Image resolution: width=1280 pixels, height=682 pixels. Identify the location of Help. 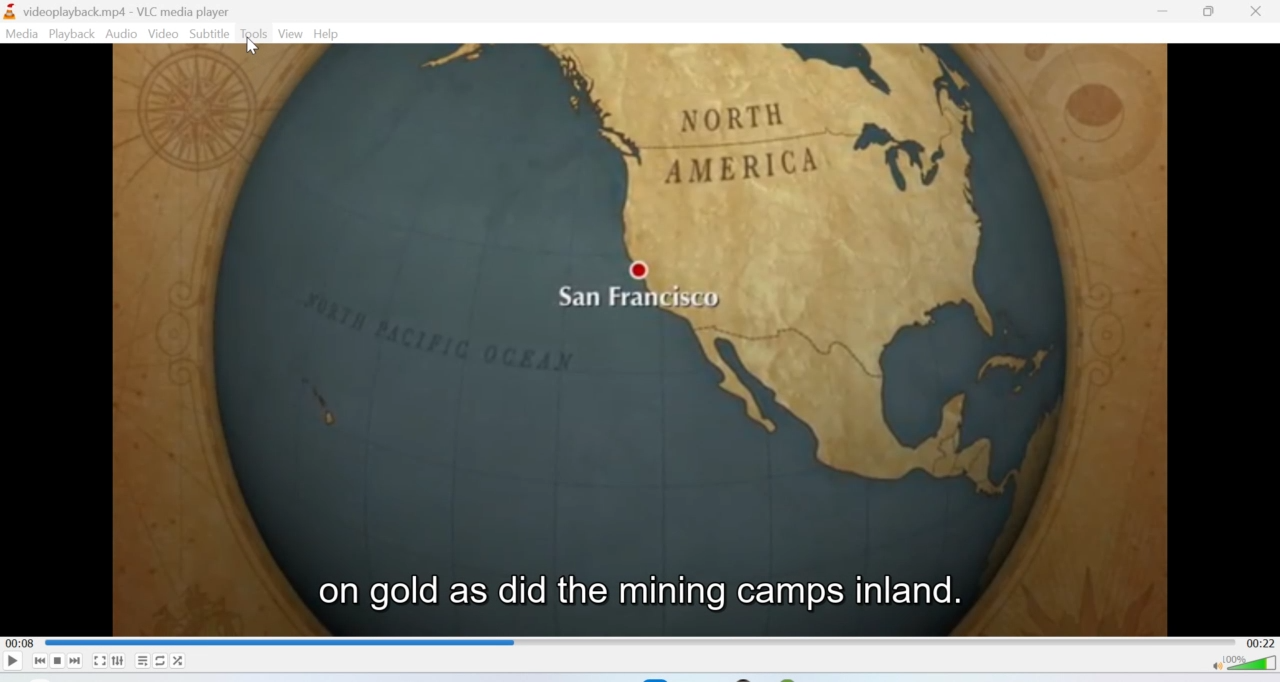
(328, 33).